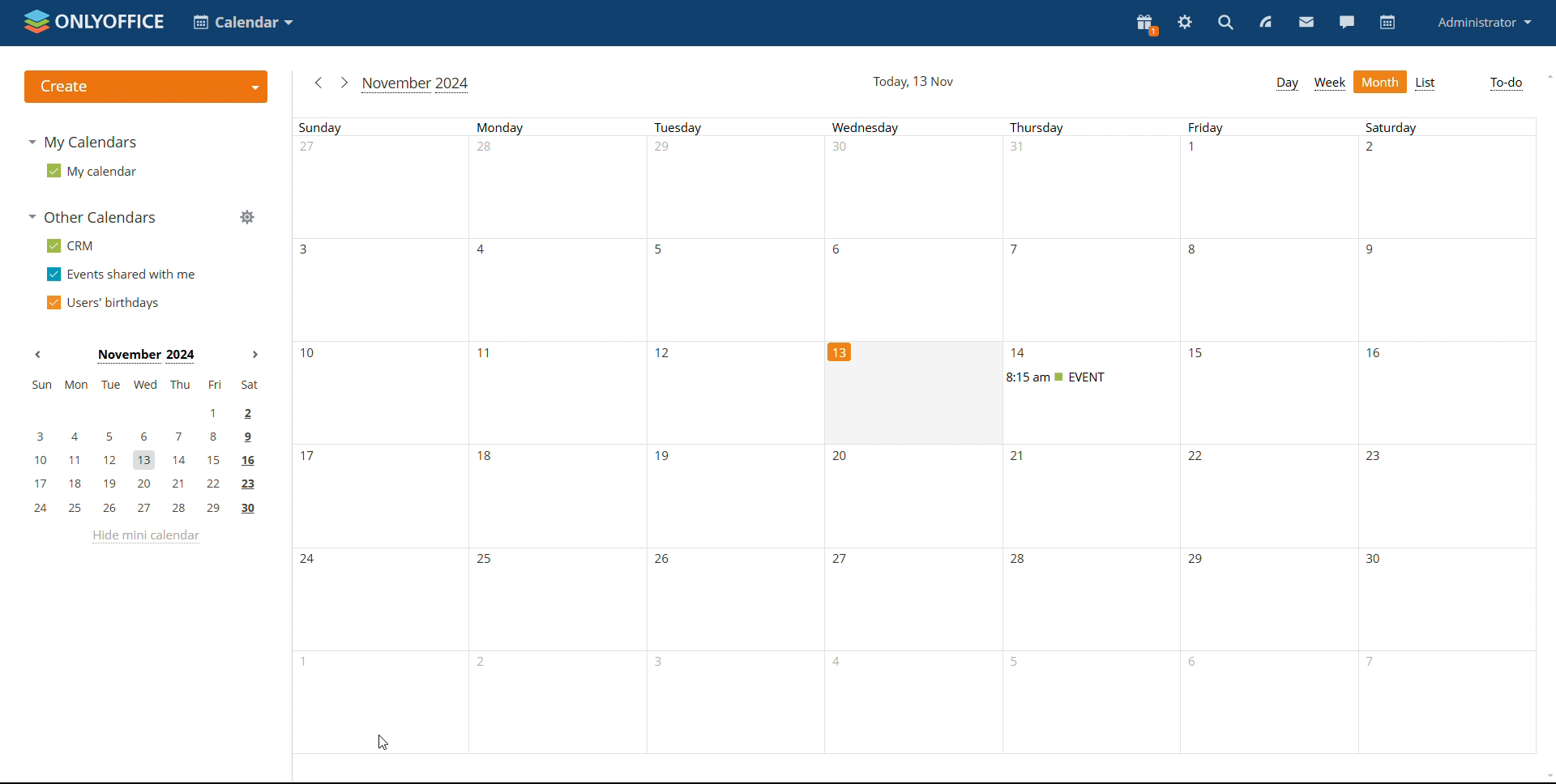 This screenshot has width=1556, height=784. What do you see at coordinates (1185, 24) in the screenshot?
I see `settings` at bounding box center [1185, 24].